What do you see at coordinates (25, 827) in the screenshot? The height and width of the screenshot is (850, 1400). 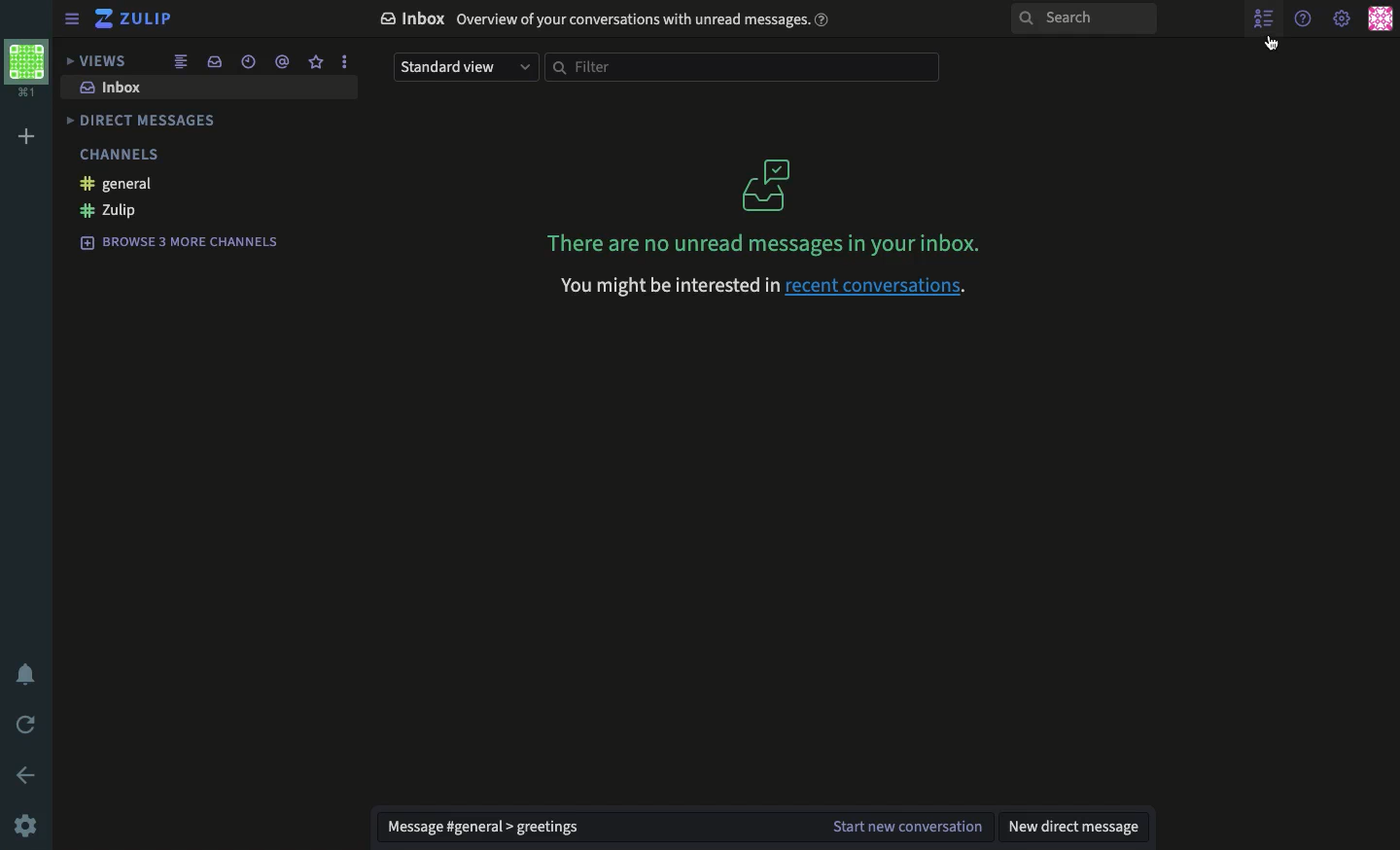 I see `settings` at bounding box center [25, 827].